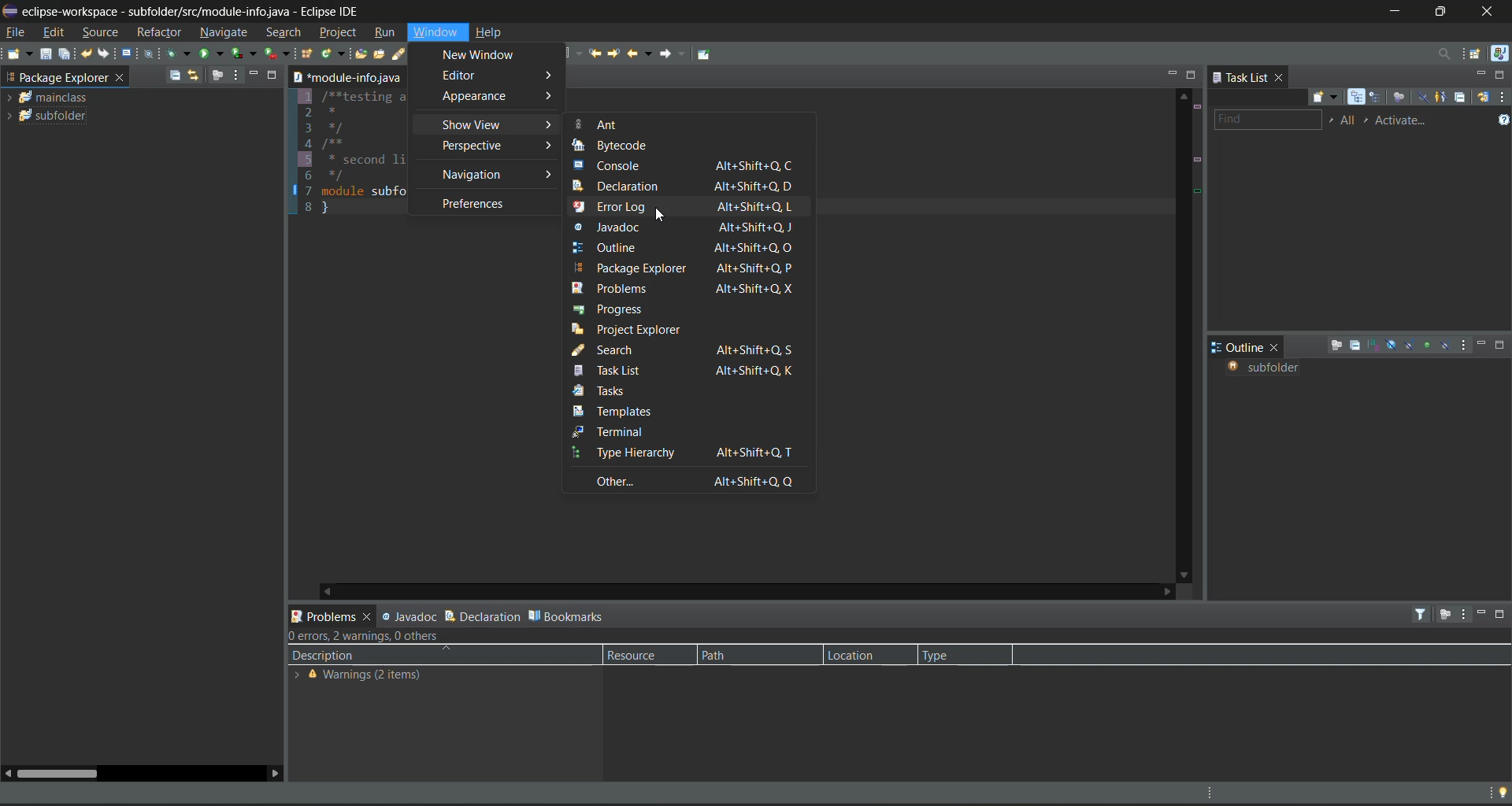 This screenshot has width=1512, height=806. What do you see at coordinates (691, 268) in the screenshot?
I see `package explorer` at bounding box center [691, 268].